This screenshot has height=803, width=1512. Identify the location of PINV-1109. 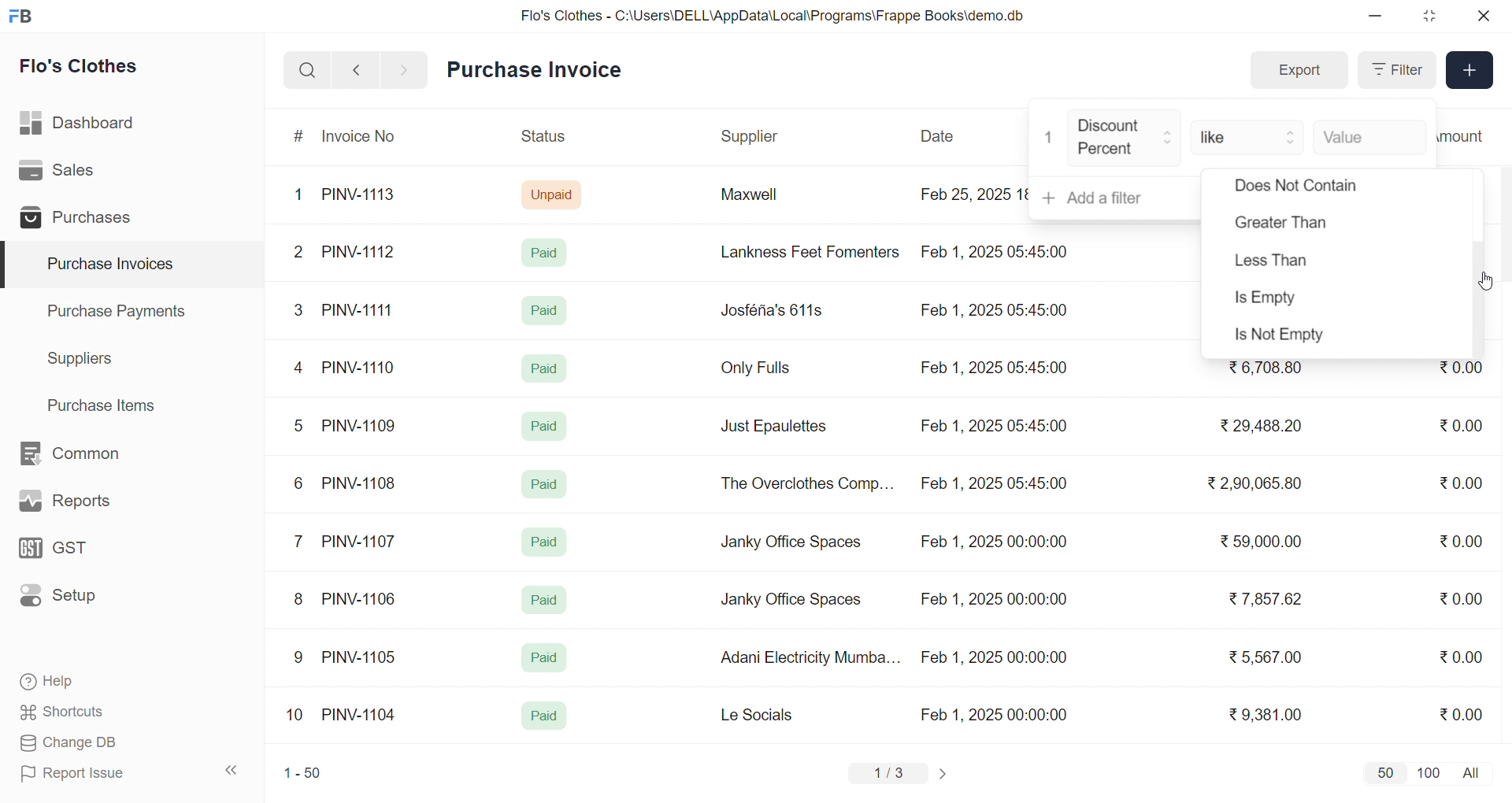
(361, 425).